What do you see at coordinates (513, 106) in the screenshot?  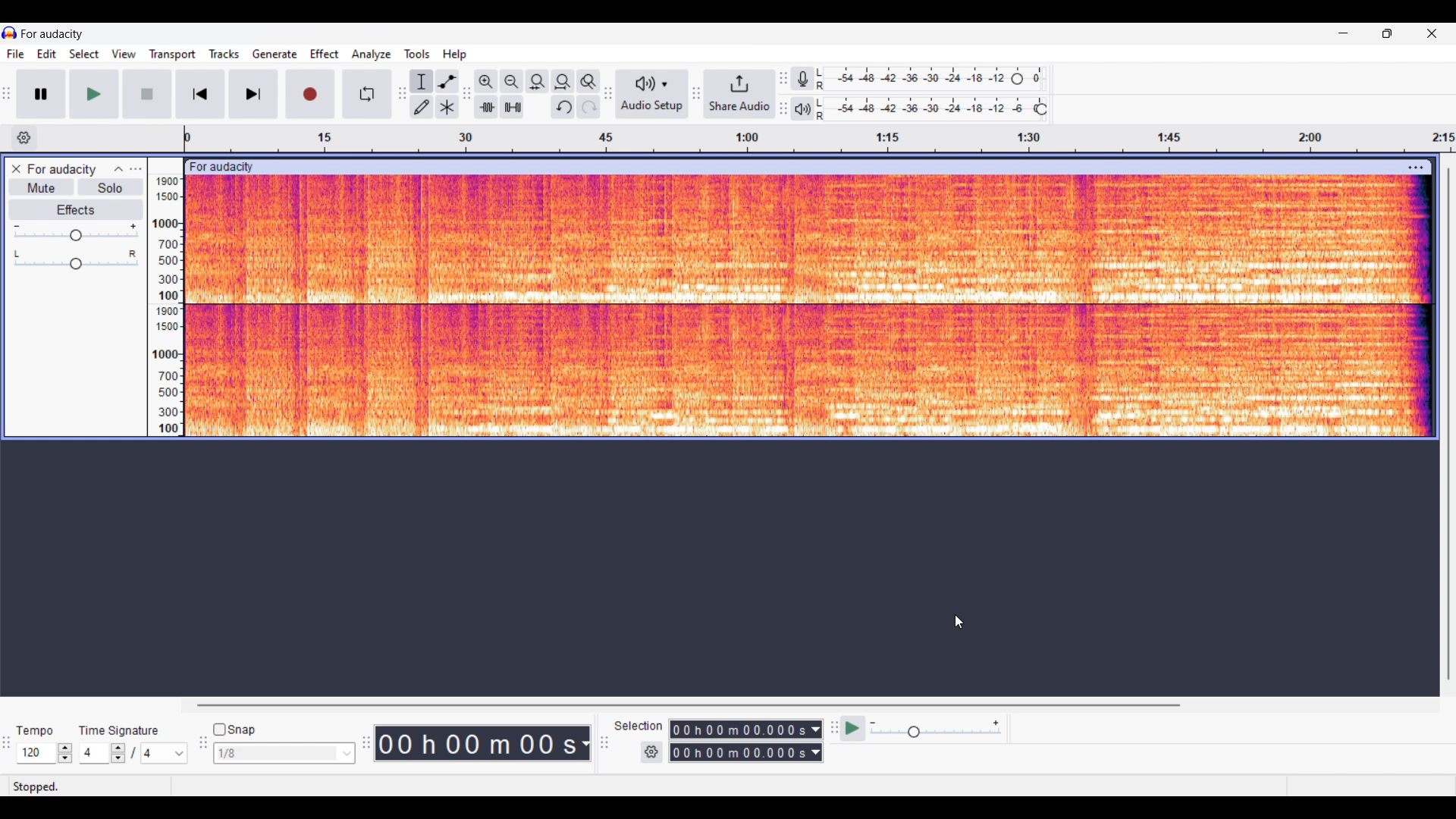 I see `Silence audio selectio` at bounding box center [513, 106].